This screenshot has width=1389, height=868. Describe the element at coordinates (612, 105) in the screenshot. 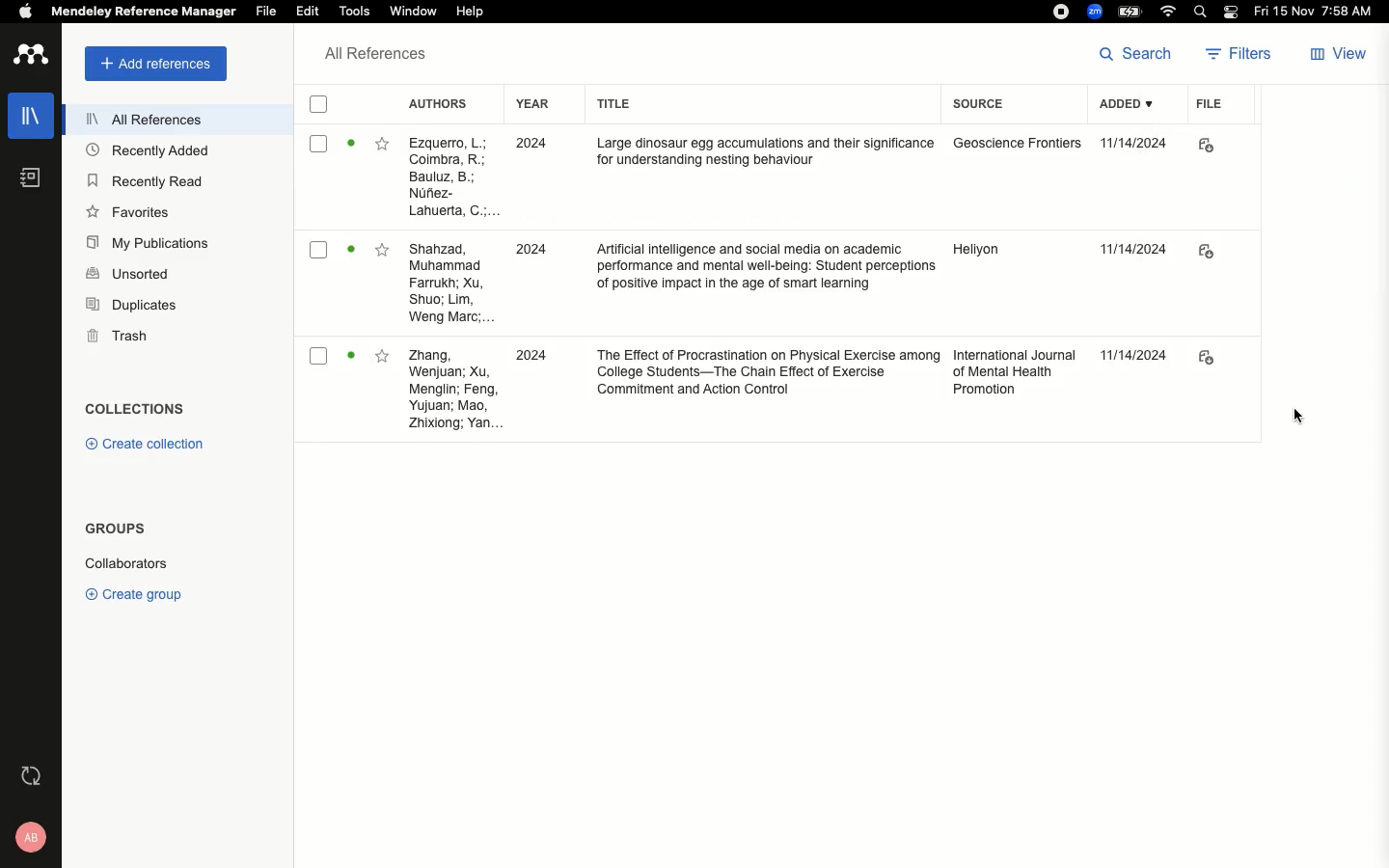

I see `Title` at that location.